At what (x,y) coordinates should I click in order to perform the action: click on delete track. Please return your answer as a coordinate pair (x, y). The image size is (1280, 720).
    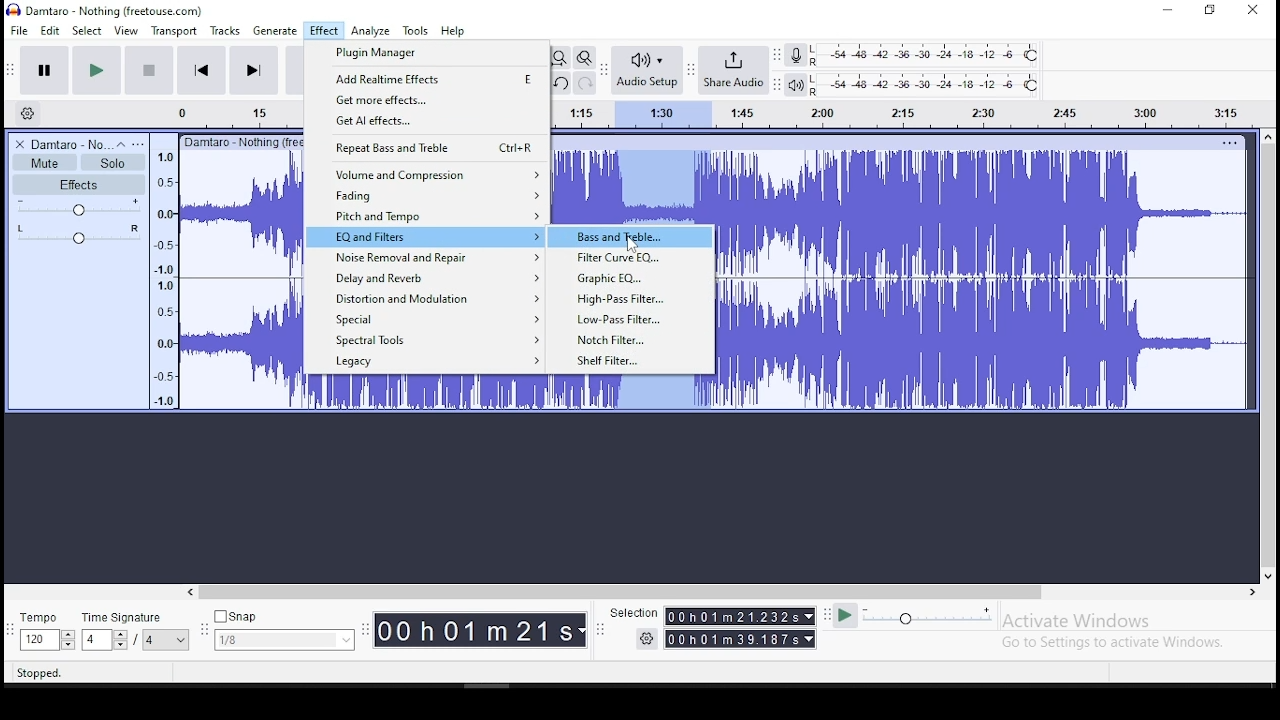
    Looking at the image, I should click on (21, 144).